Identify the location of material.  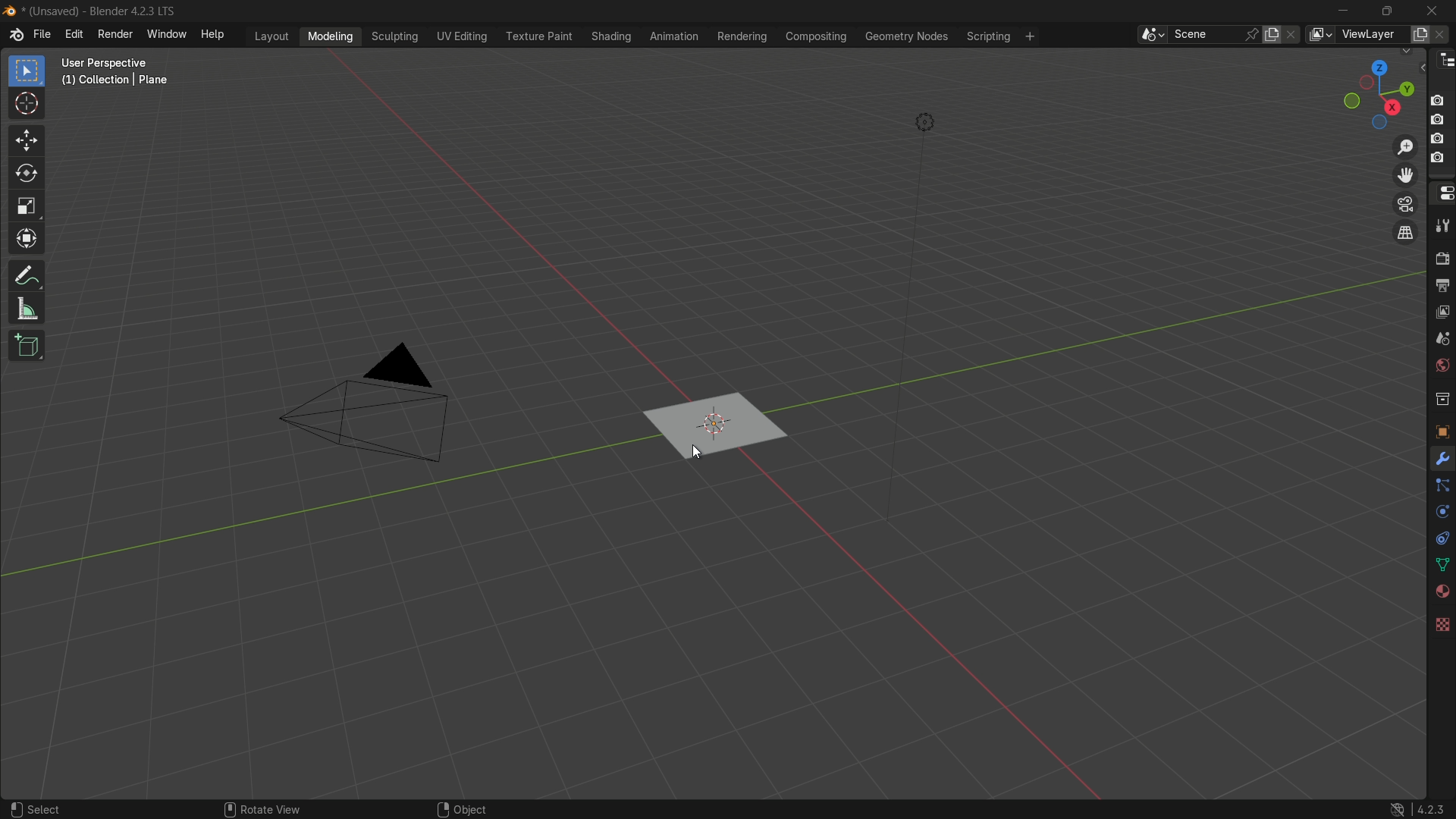
(1441, 591).